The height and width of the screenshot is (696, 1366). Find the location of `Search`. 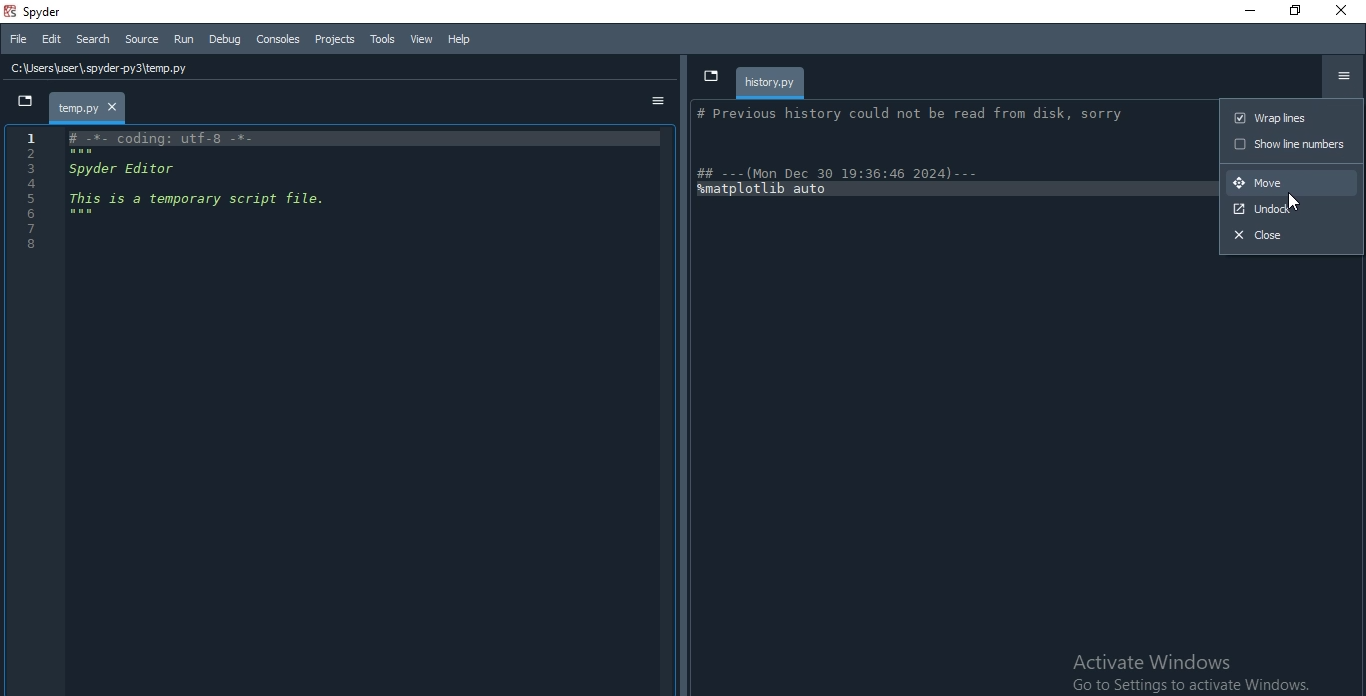

Search is located at coordinates (95, 39).